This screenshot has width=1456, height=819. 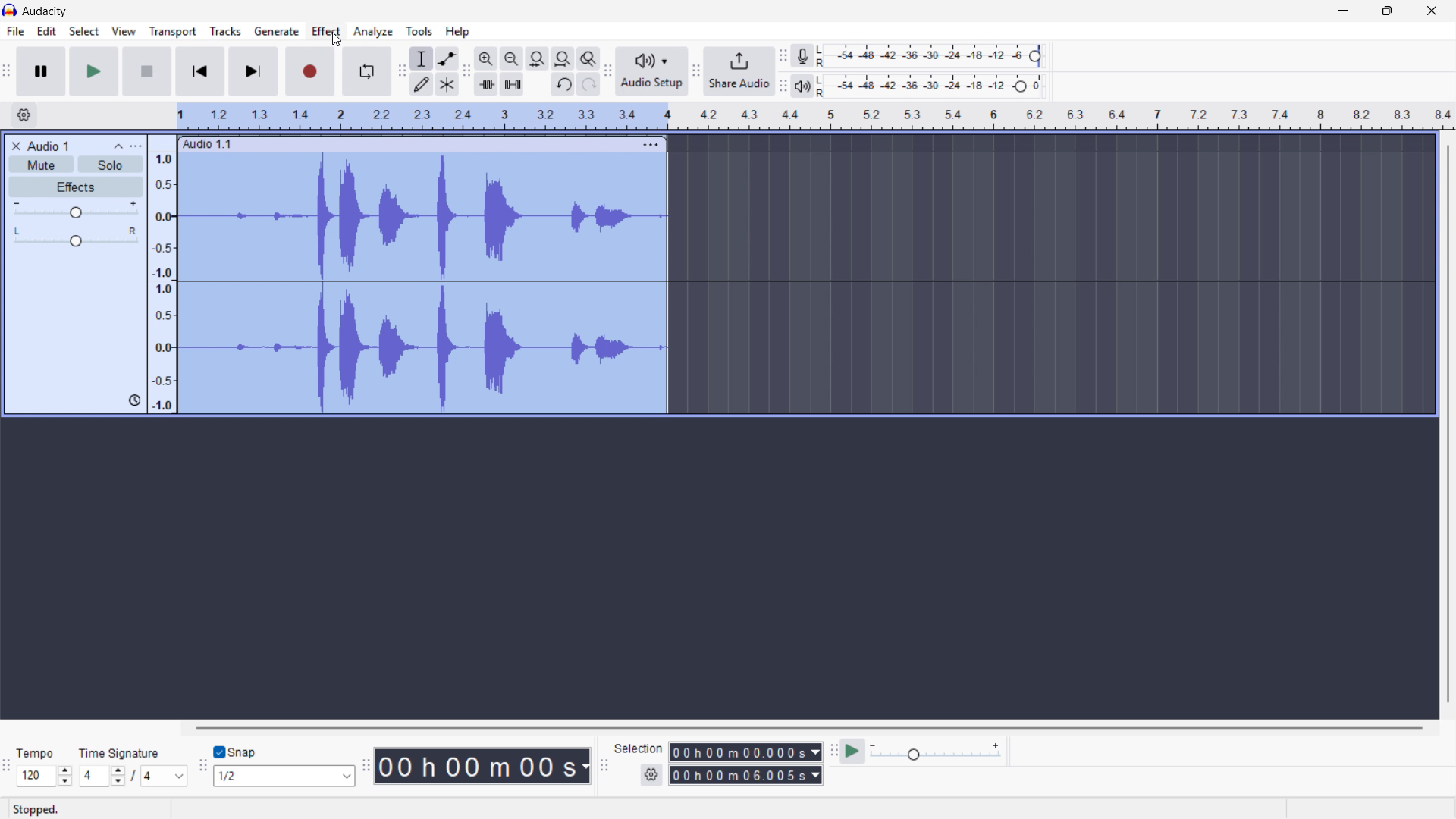 What do you see at coordinates (147, 71) in the screenshot?
I see `Stop ` at bounding box center [147, 71].